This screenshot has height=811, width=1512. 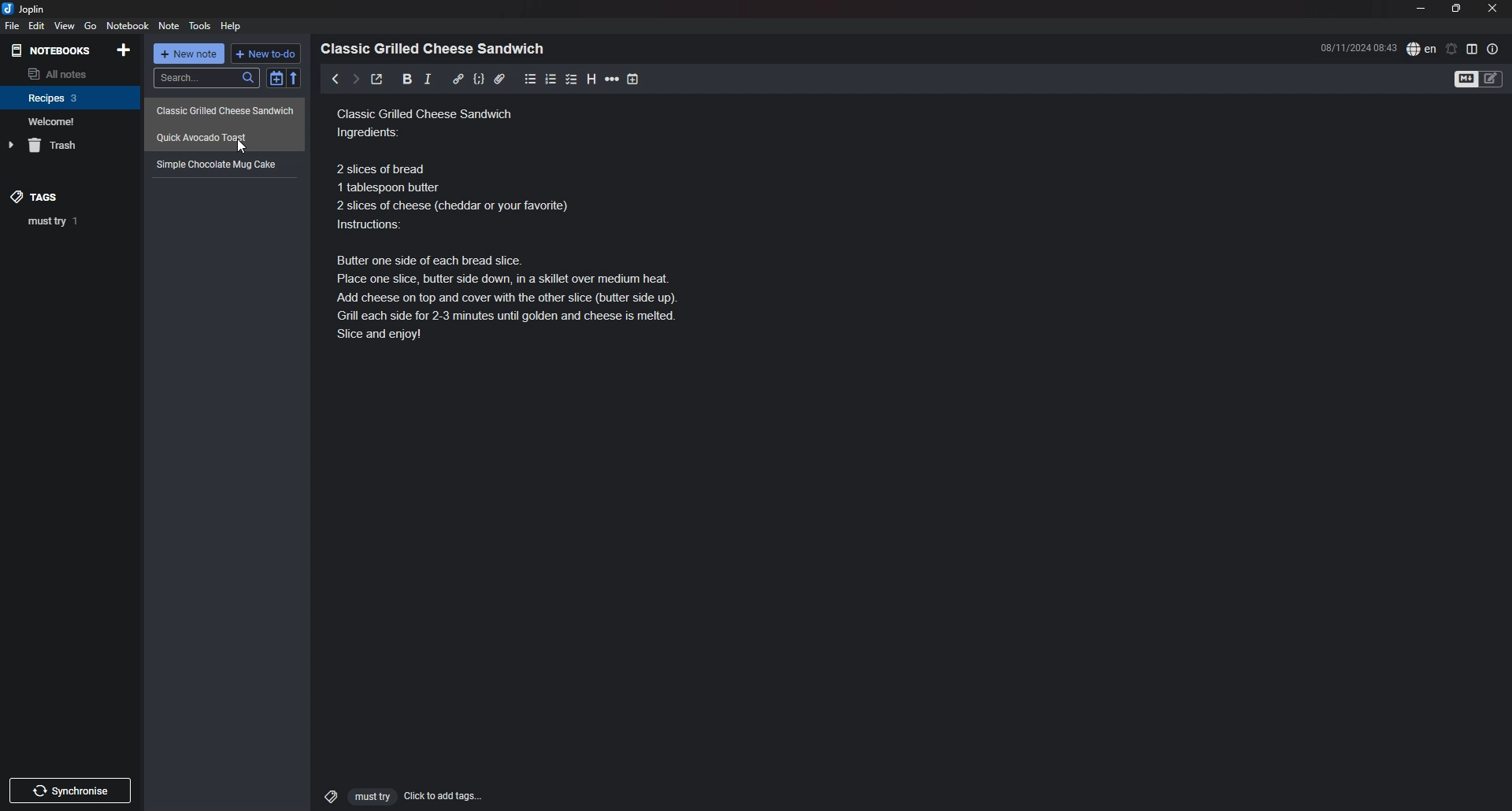 I want to click on add notebook, so click(x=125, y=49).